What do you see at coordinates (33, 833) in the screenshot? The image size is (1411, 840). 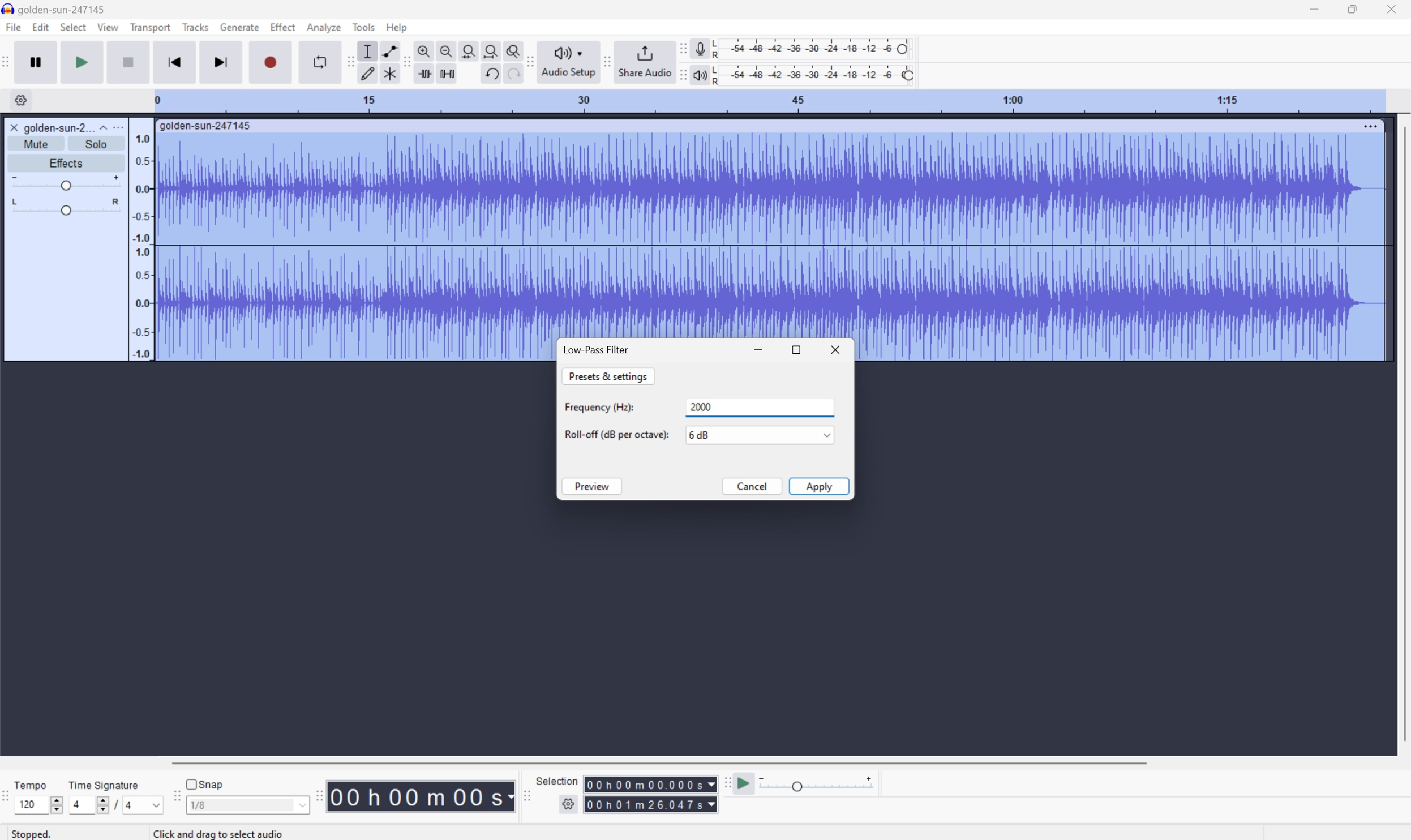 I see `Stopped` at bounding box center [33, 833].